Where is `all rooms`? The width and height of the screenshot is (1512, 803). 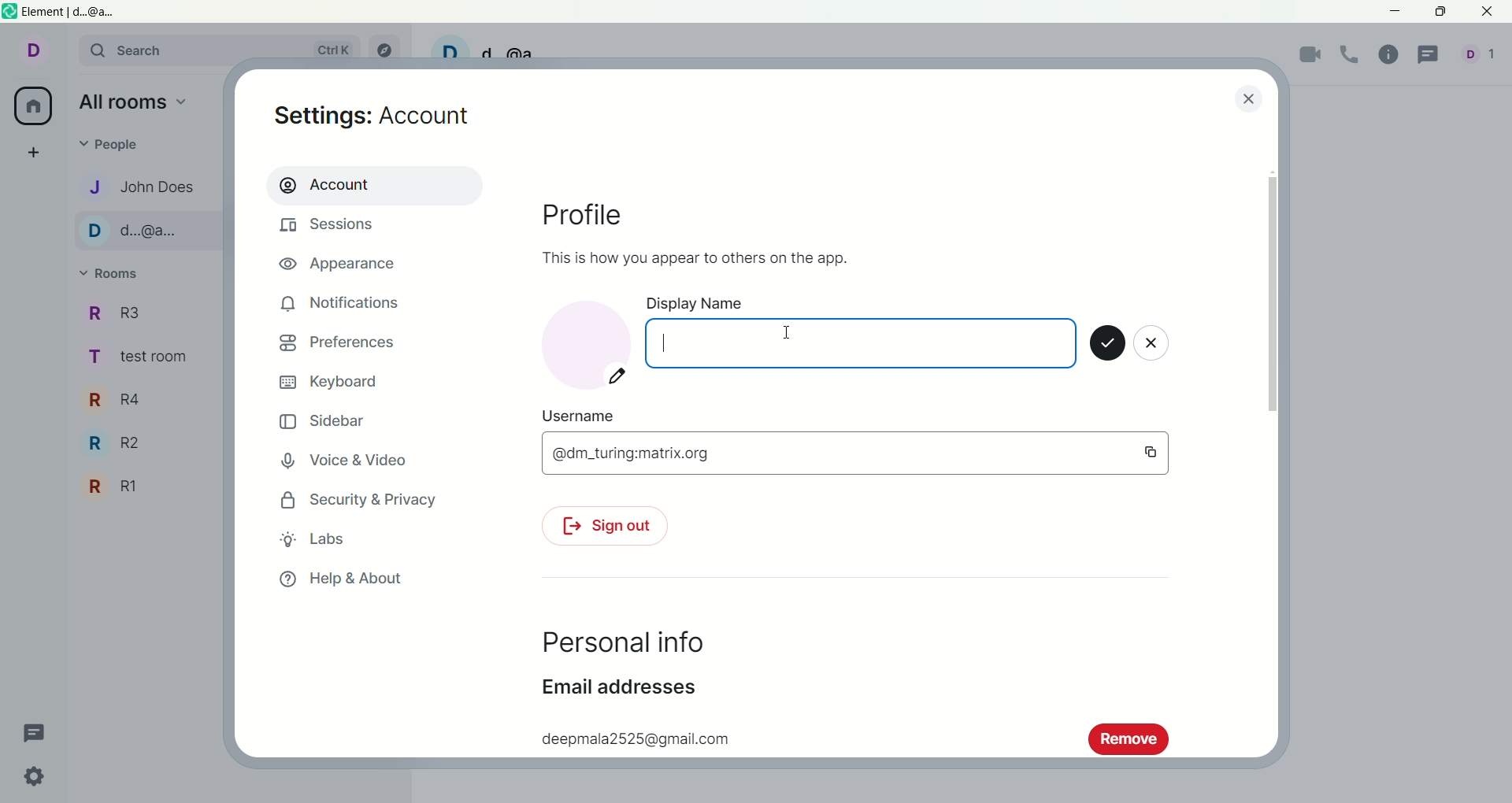
all rooms is located at coordinates (135, 105).